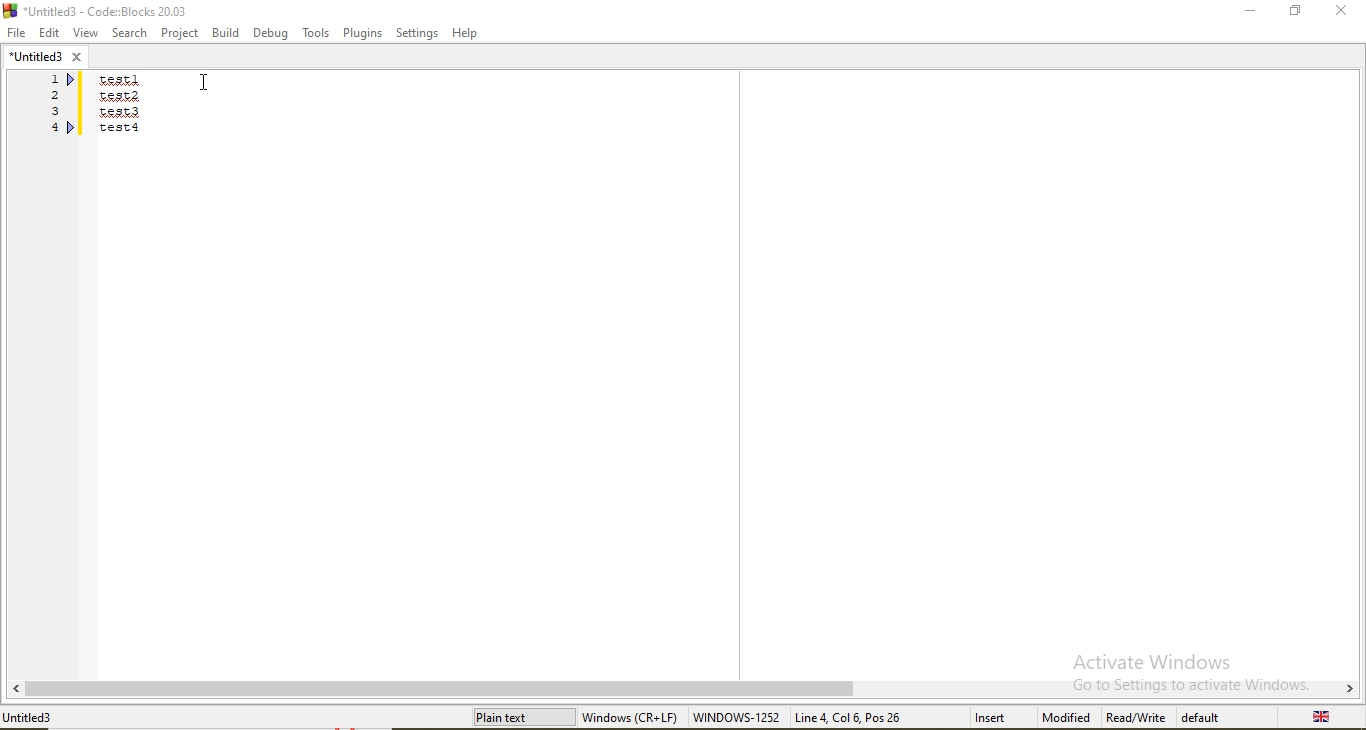 This screenshot has width=1366, height=730. What do you see at coordinates (45, 55) in the screenshot?
I see `untitled` at bounding box center [45, 55].